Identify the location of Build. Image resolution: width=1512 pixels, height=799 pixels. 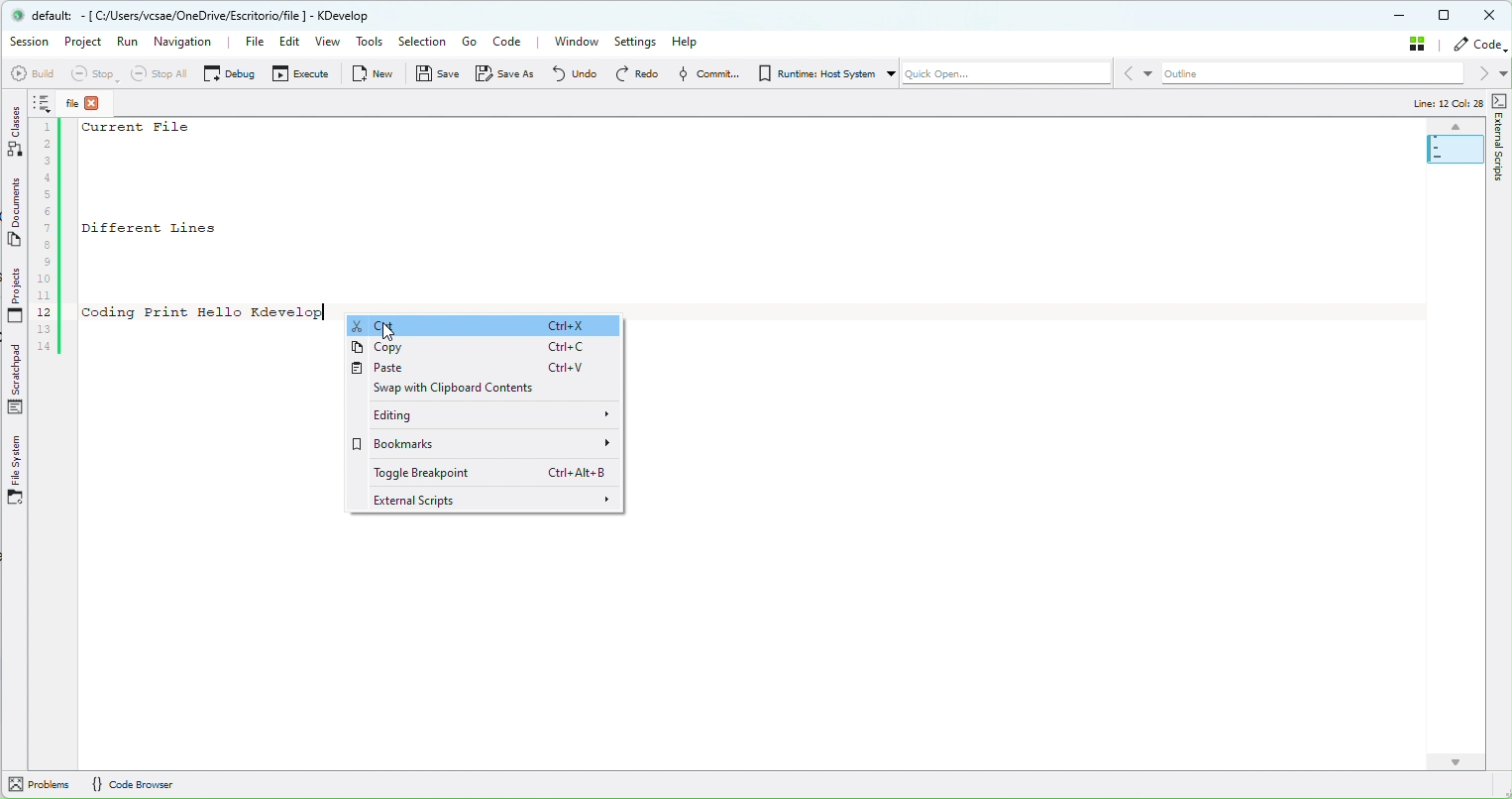
(30, 72).